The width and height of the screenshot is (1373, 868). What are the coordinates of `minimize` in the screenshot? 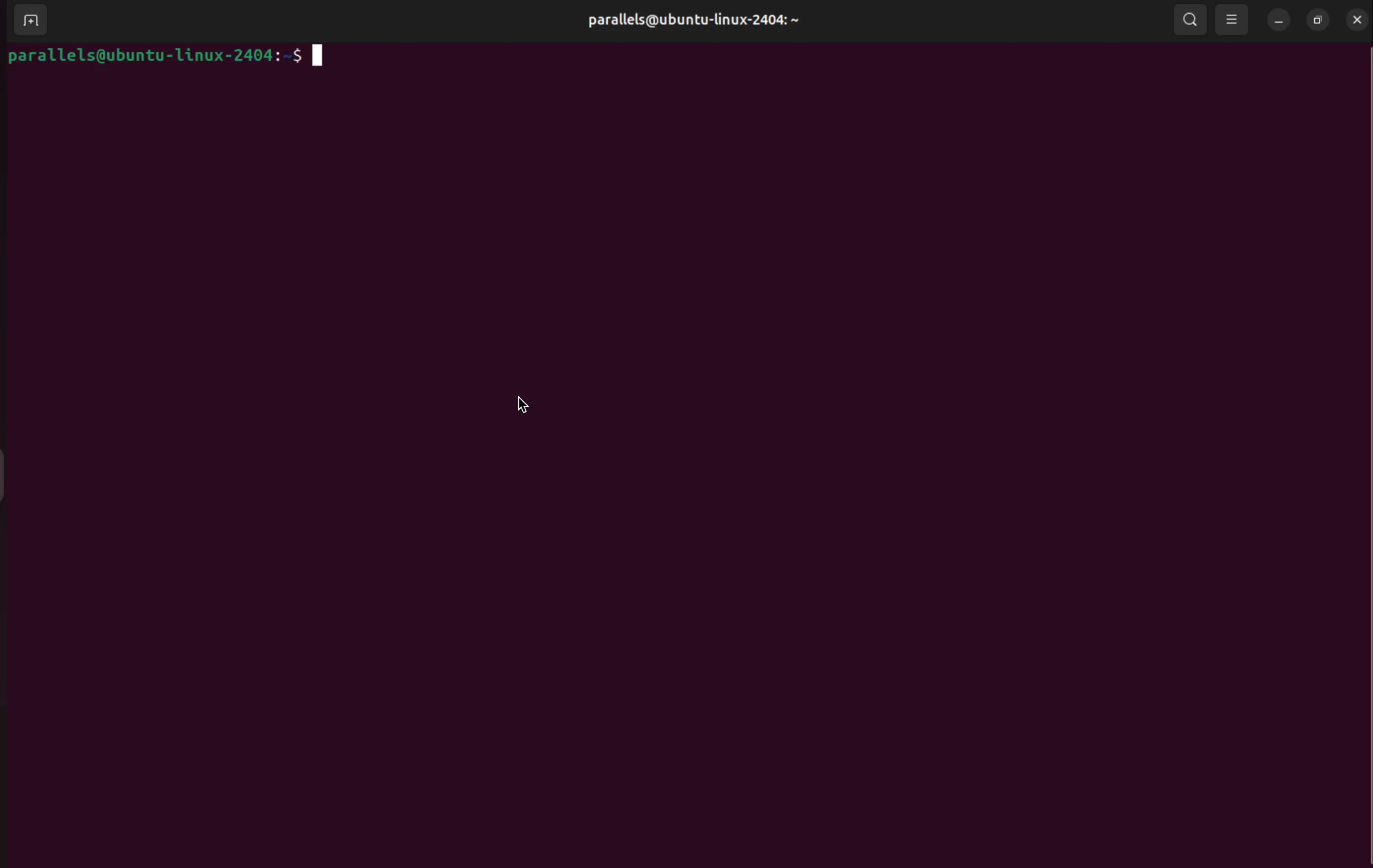 It's located at (1278, 20).